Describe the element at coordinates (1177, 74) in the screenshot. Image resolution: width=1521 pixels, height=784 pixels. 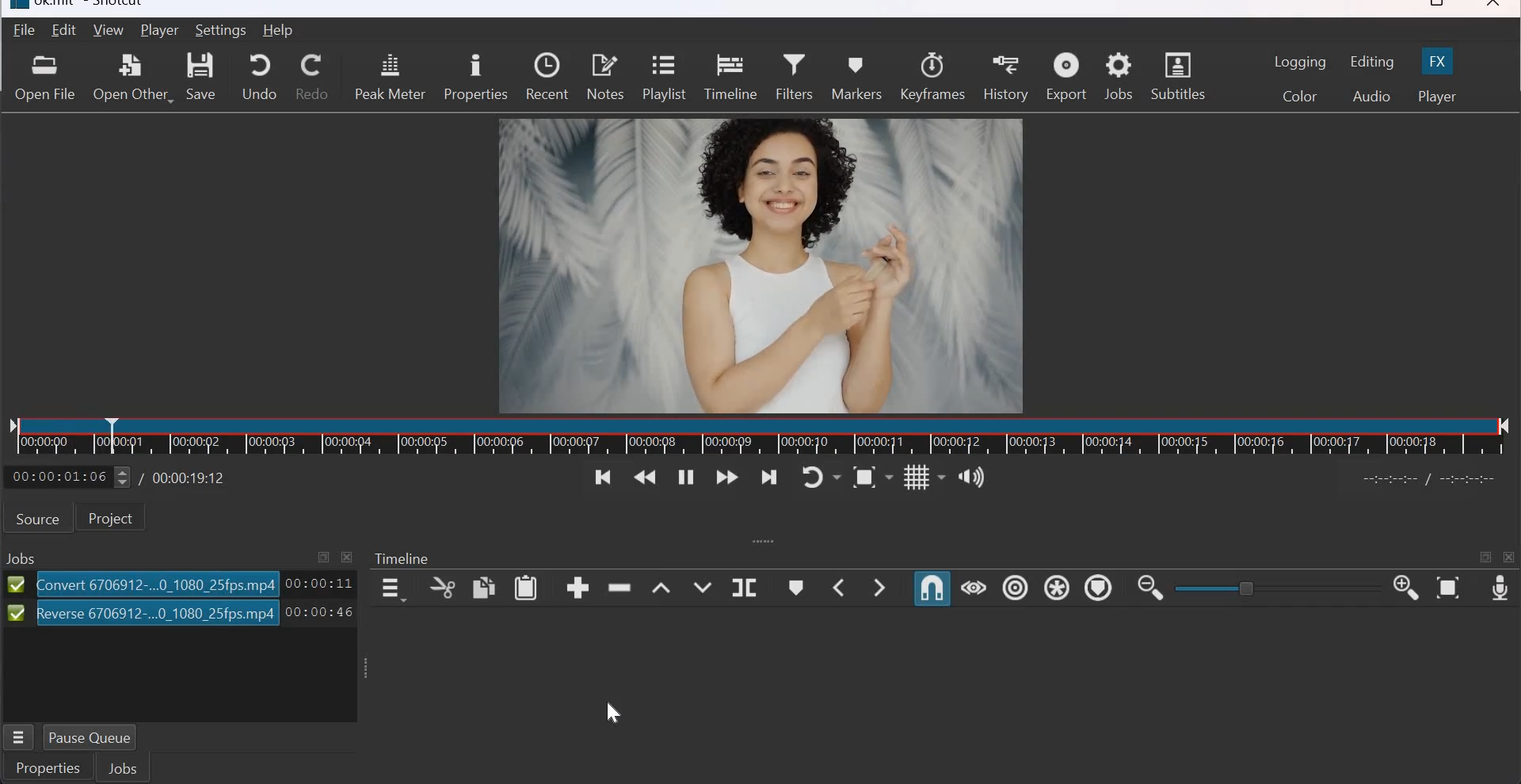
I see `Subtitles` at that location.